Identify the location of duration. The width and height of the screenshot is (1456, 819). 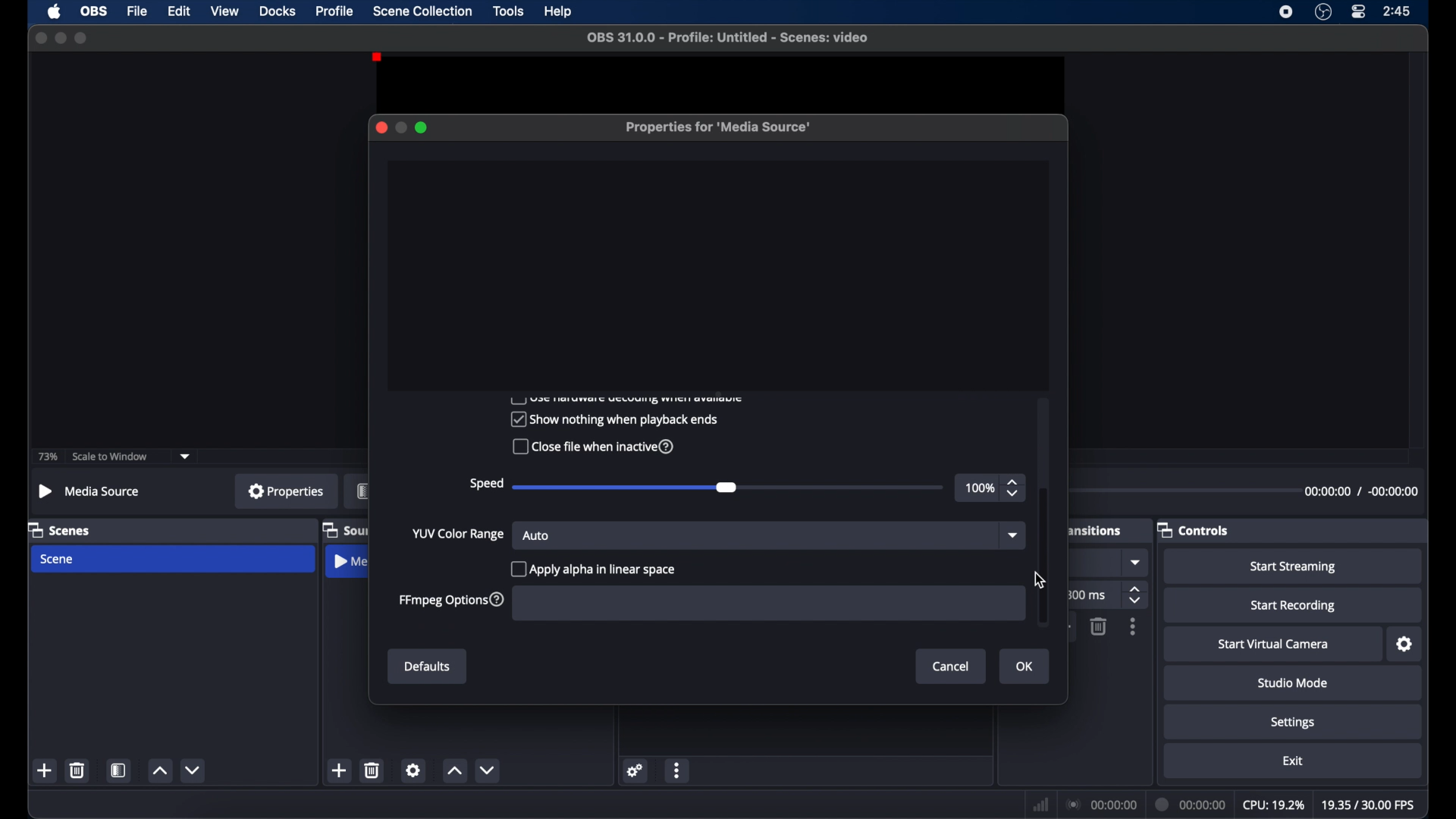
(1191, 804).